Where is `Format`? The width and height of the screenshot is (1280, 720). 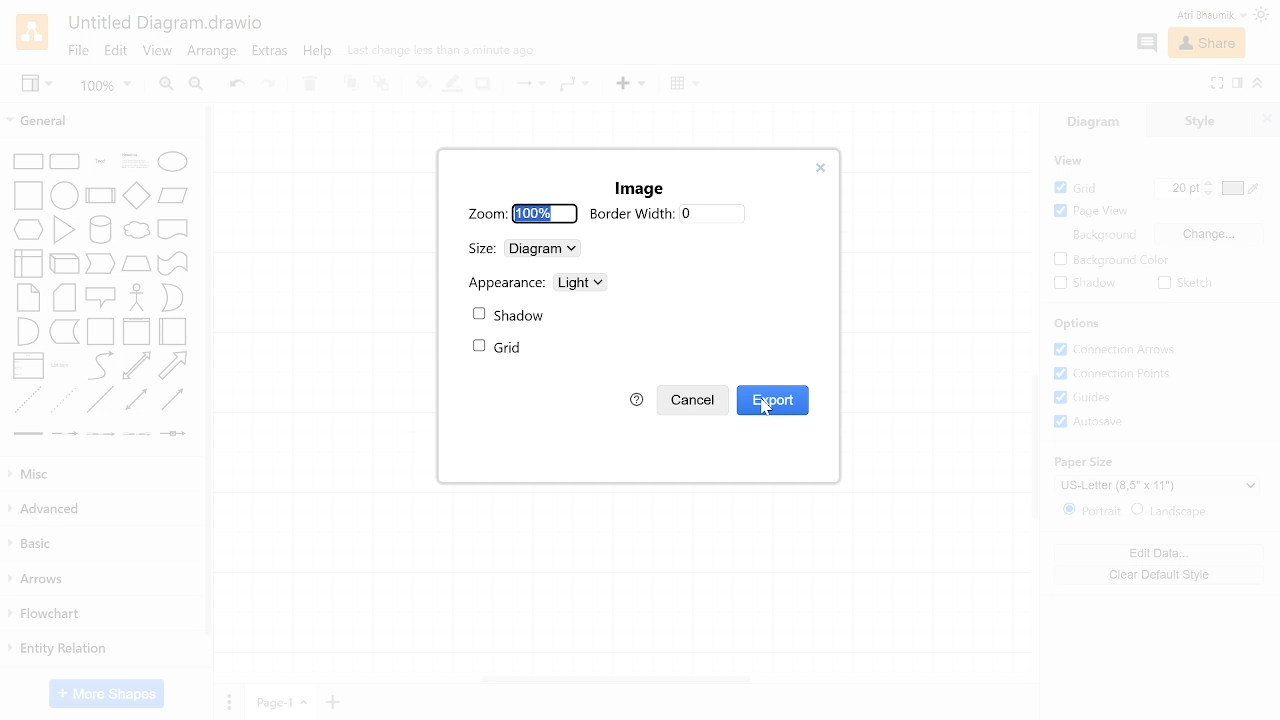 Format is located at coordinates (1237, 82).